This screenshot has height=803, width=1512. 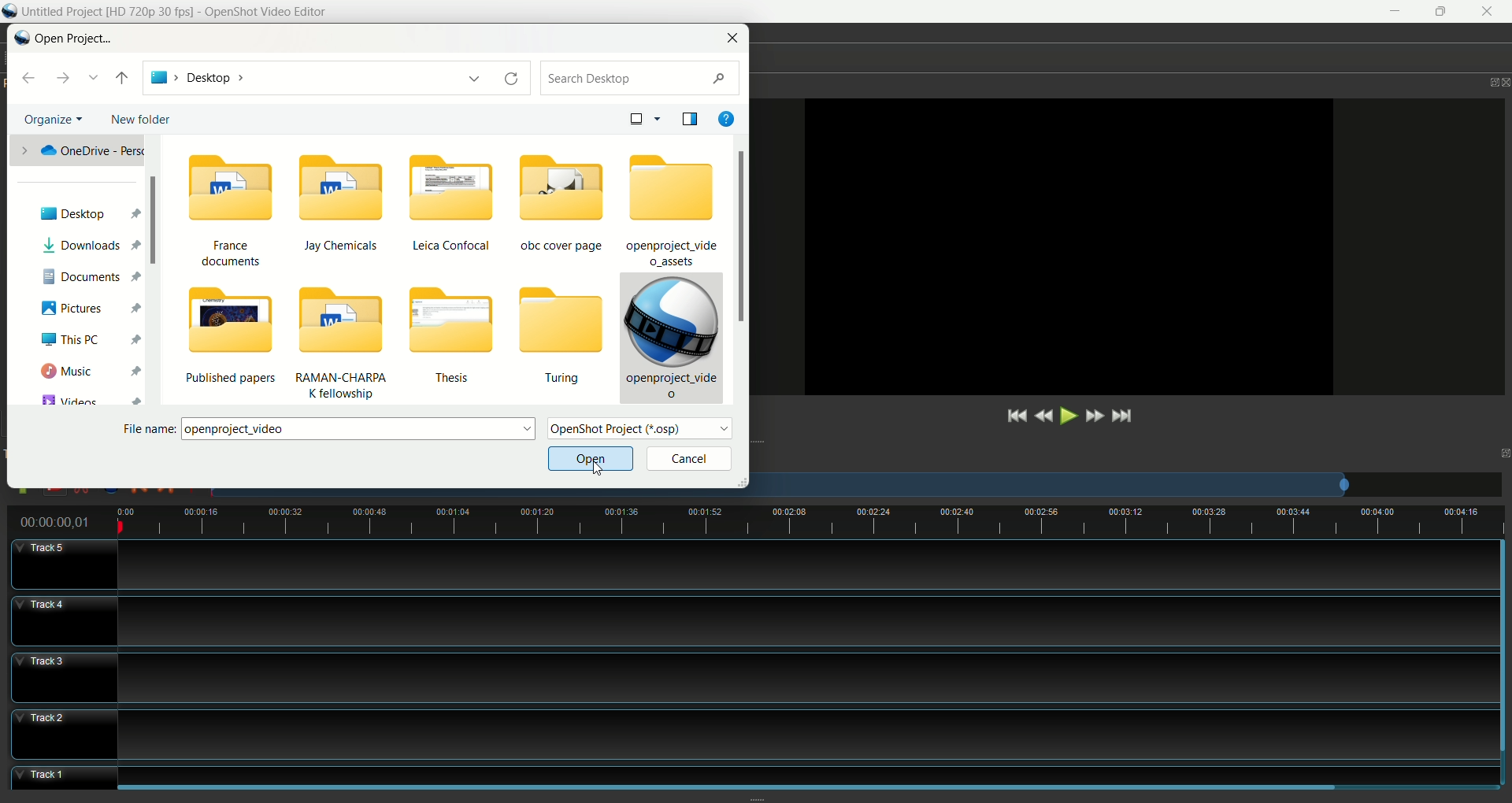 I want to click on OpenShotProject (*.osp), so click(x=643, y=431).